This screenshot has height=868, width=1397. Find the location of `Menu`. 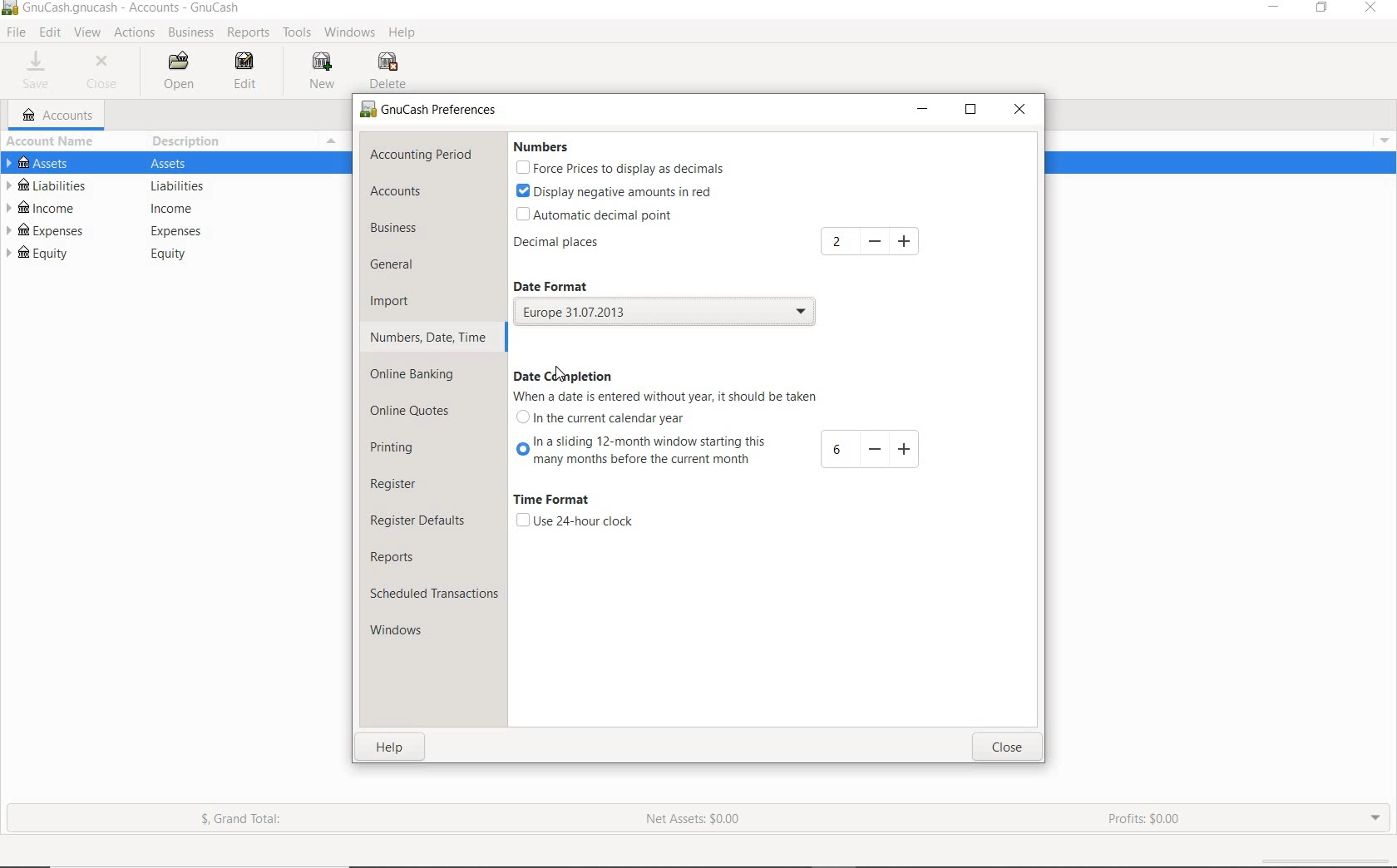

Menu is located at coordinates (1380, 139).